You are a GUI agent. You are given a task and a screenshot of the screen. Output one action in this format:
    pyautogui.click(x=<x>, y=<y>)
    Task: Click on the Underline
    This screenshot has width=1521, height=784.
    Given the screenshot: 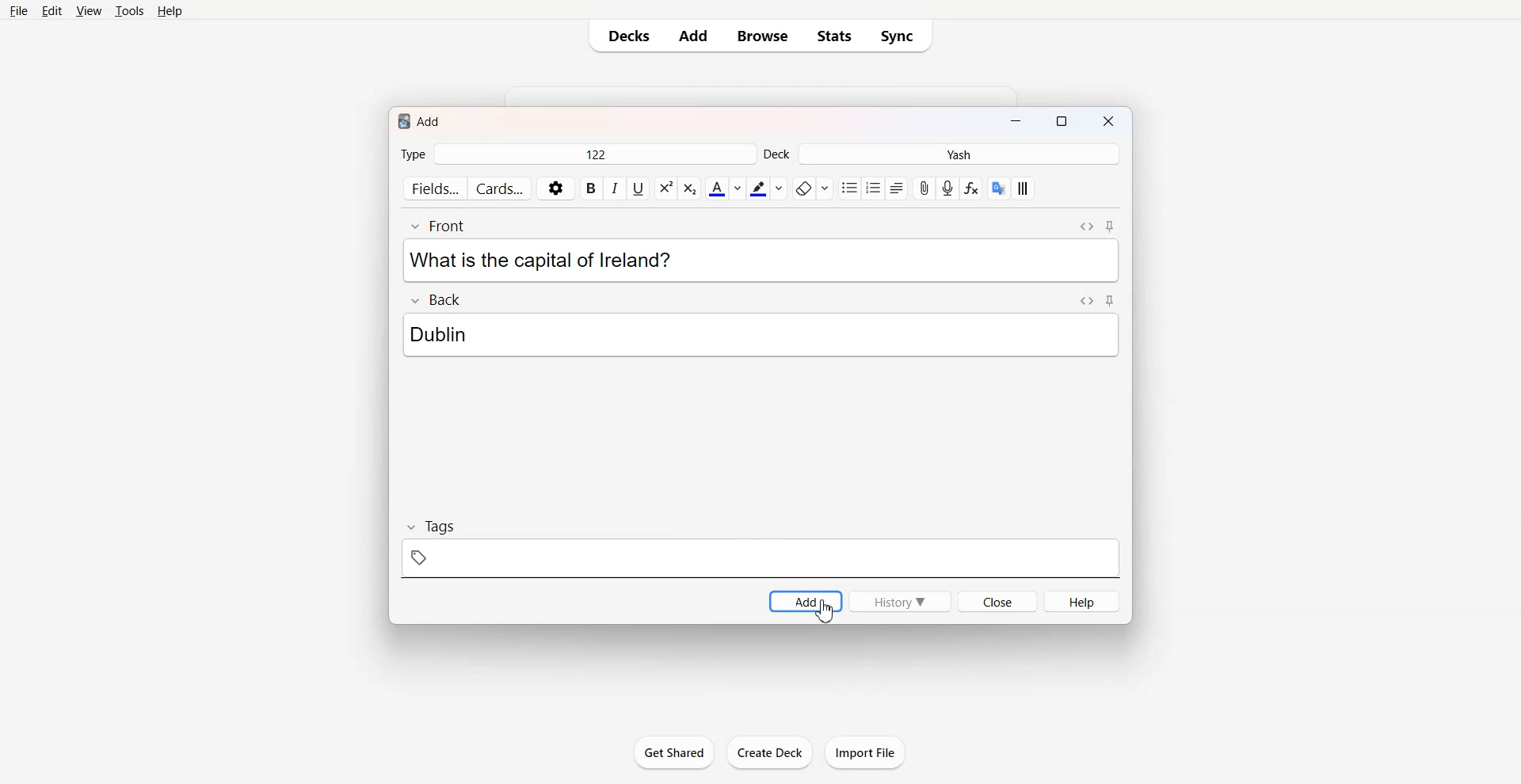 What is the action you would take?
    pyautogui.click(x=638, y=188)
    